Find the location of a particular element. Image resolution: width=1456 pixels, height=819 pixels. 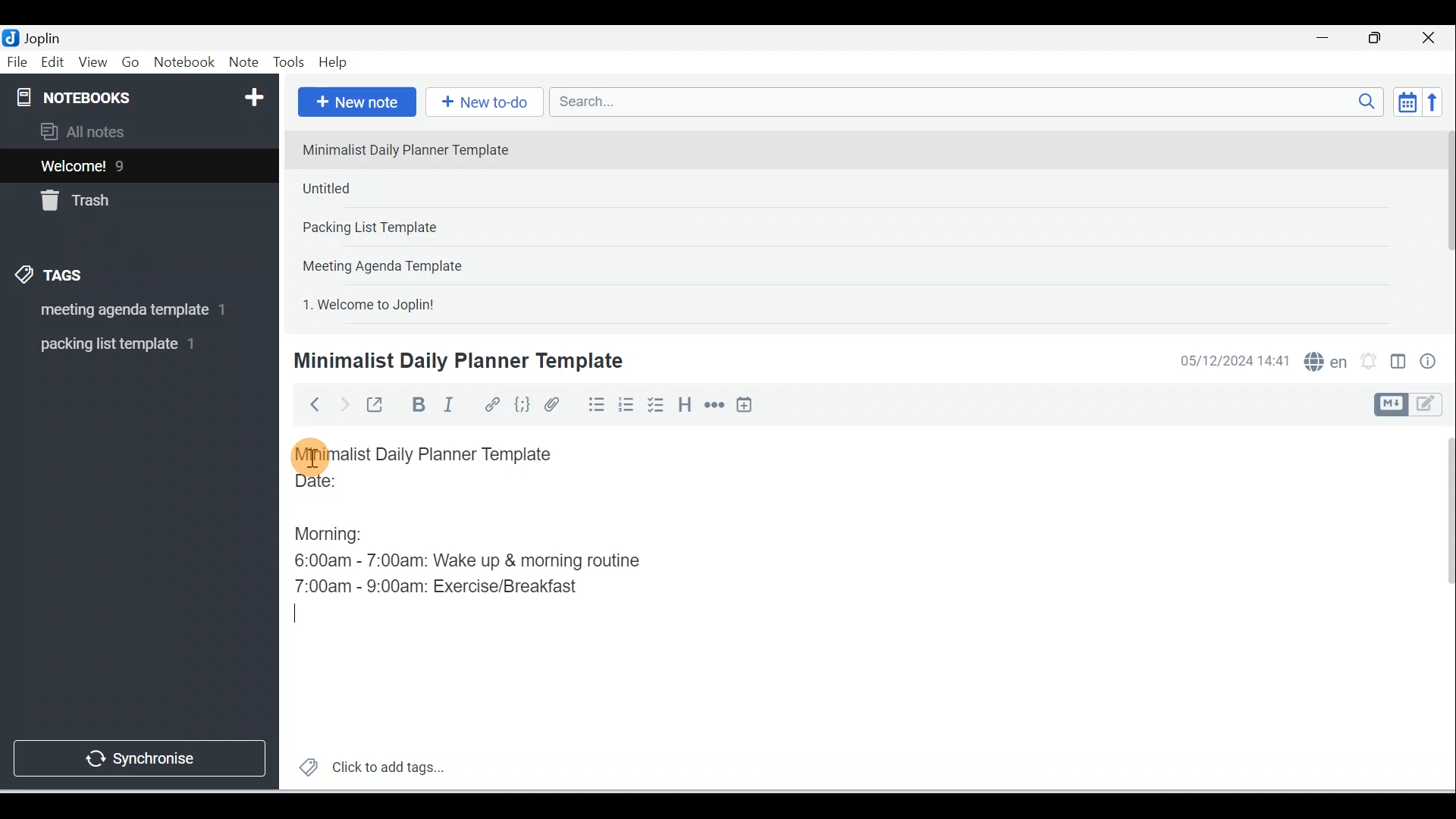

Reverse sort is located at coordinates (1437, 102).